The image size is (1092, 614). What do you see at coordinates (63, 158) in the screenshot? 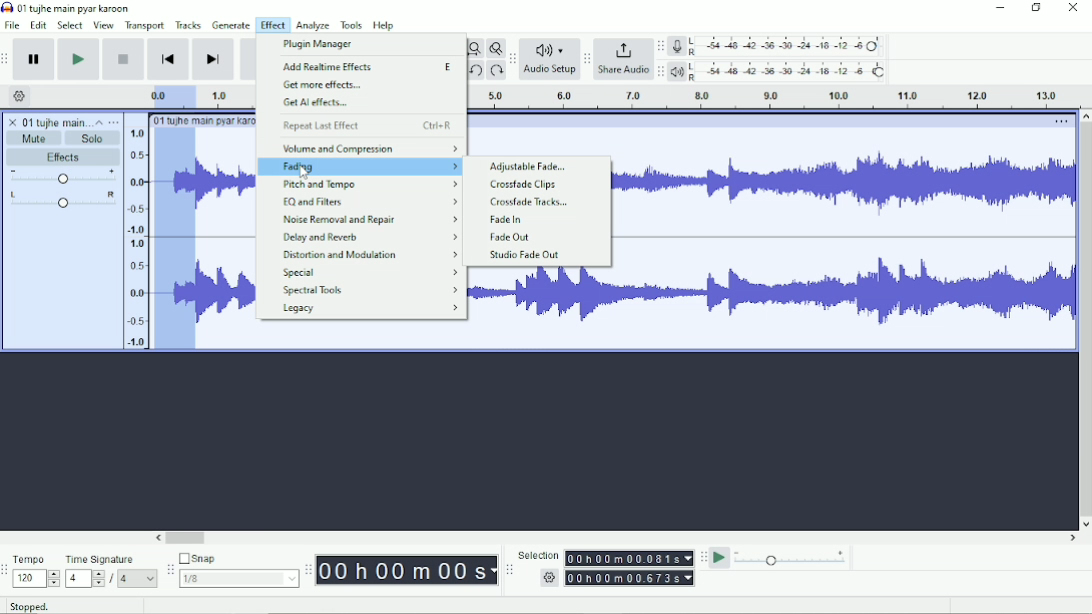
I see `Effects` at bounding box center [63, 158].